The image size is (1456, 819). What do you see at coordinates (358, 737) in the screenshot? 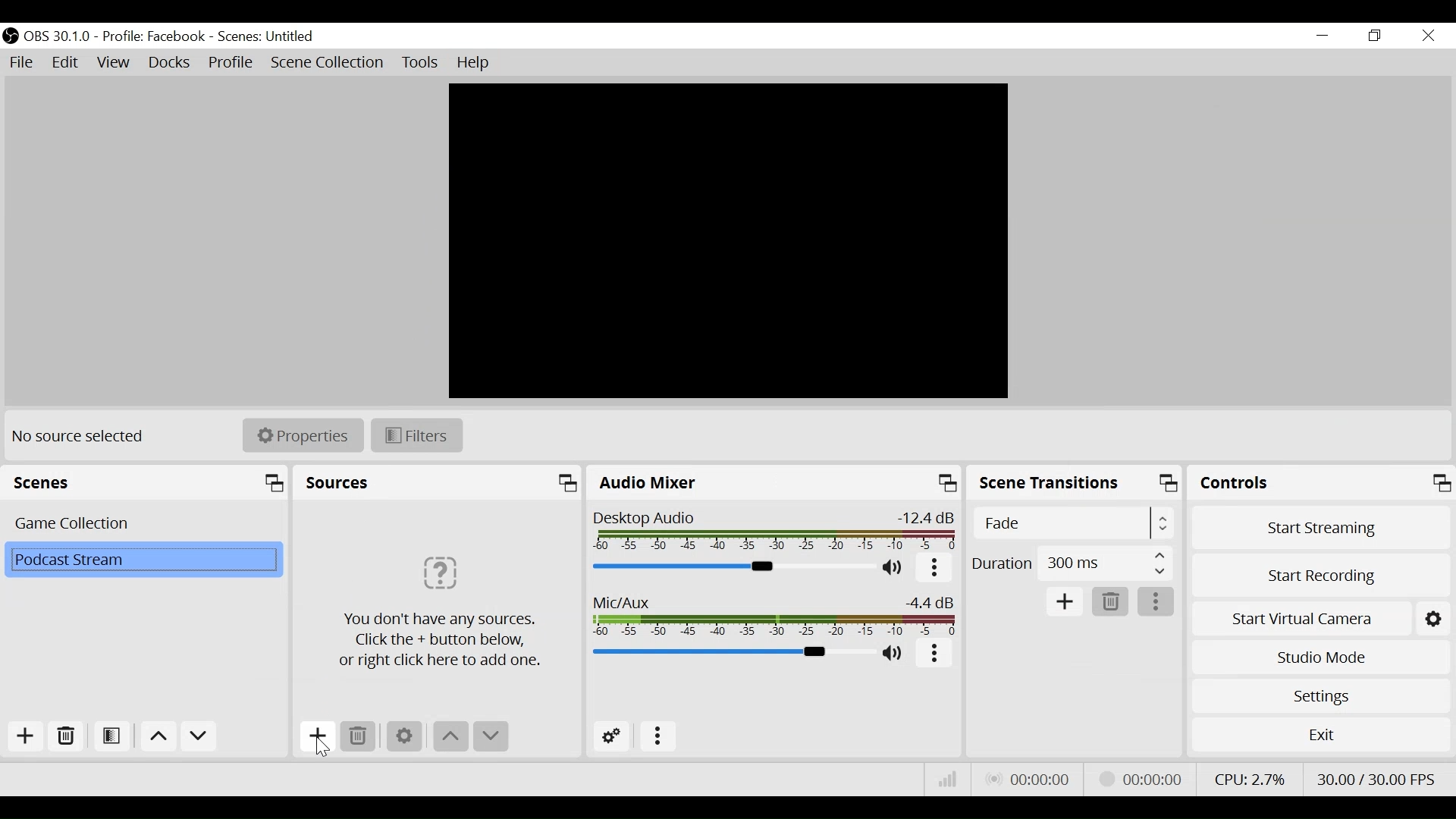
I see `Remove` at bounding box center [358, 737].